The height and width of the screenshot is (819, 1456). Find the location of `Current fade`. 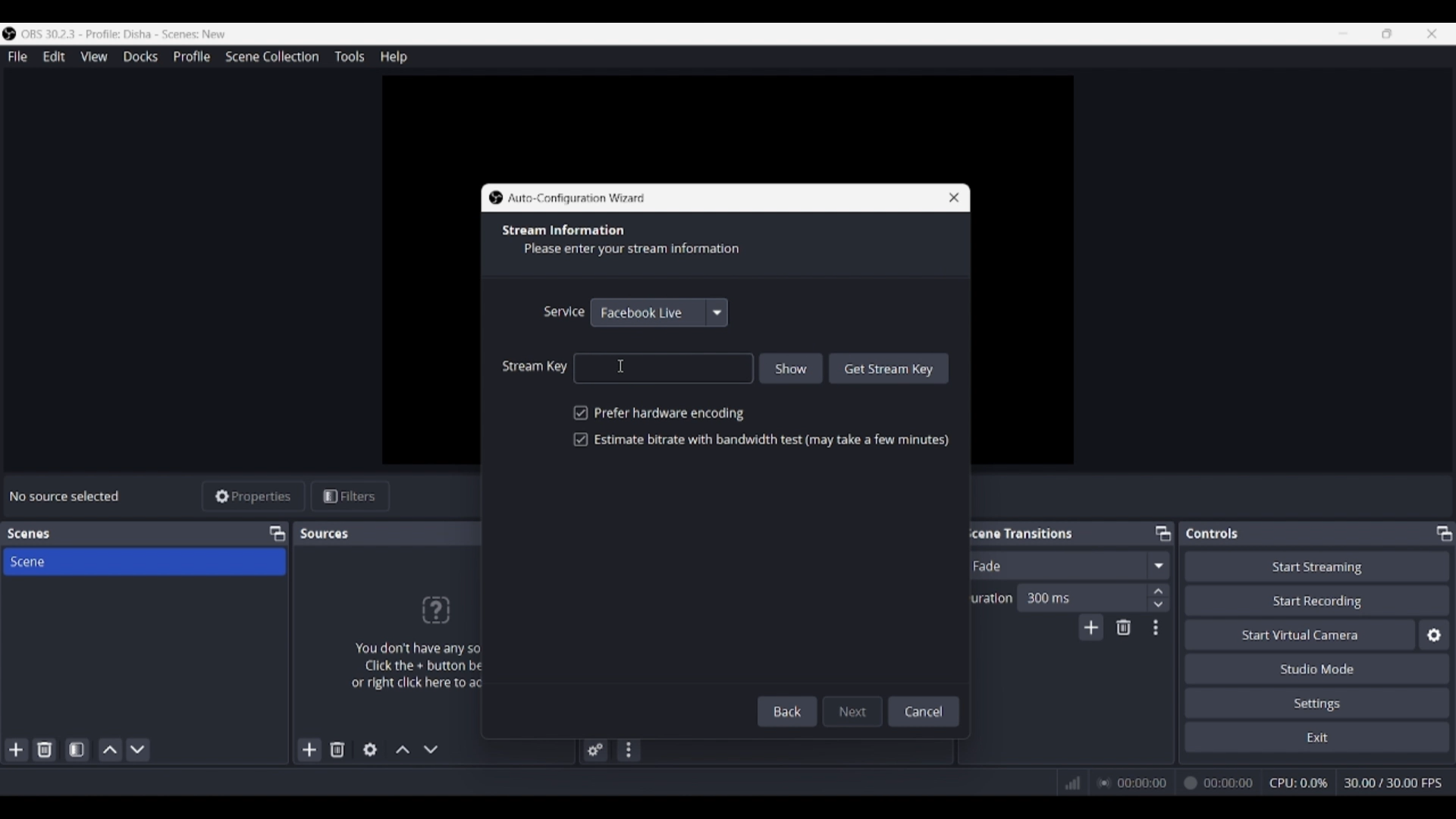

Current fade is located at coordinates (1053, 565).